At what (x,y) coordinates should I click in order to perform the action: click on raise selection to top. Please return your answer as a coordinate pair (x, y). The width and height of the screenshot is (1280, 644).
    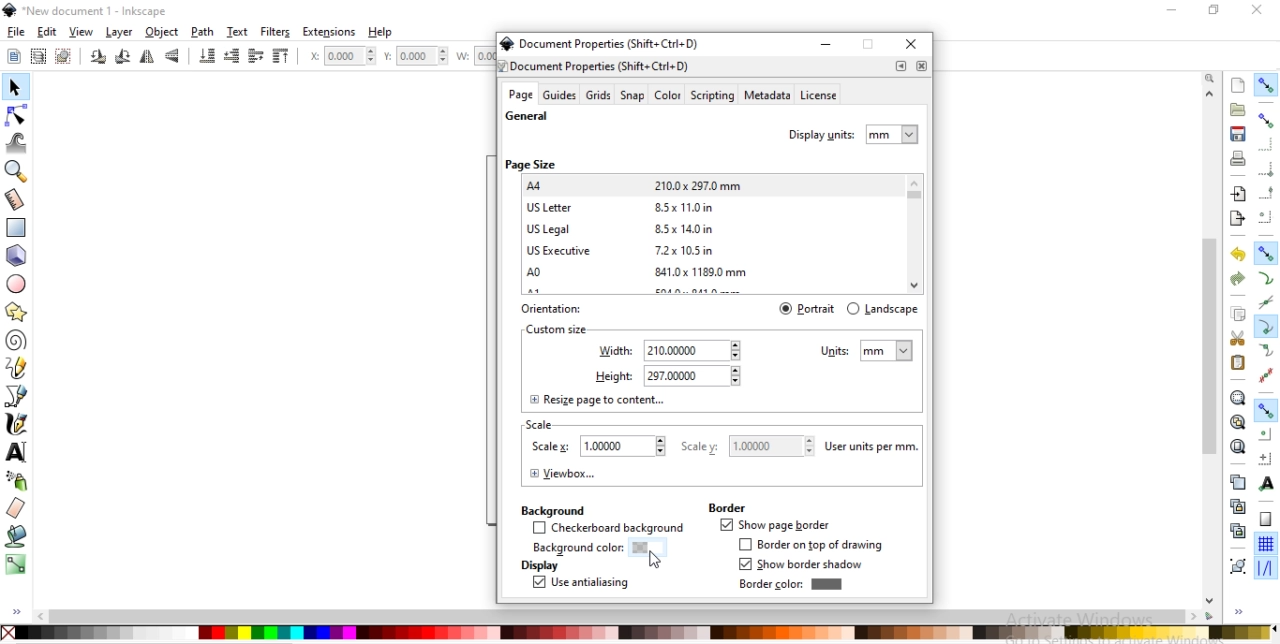
    Looking at the image, I should click on (281, 57).